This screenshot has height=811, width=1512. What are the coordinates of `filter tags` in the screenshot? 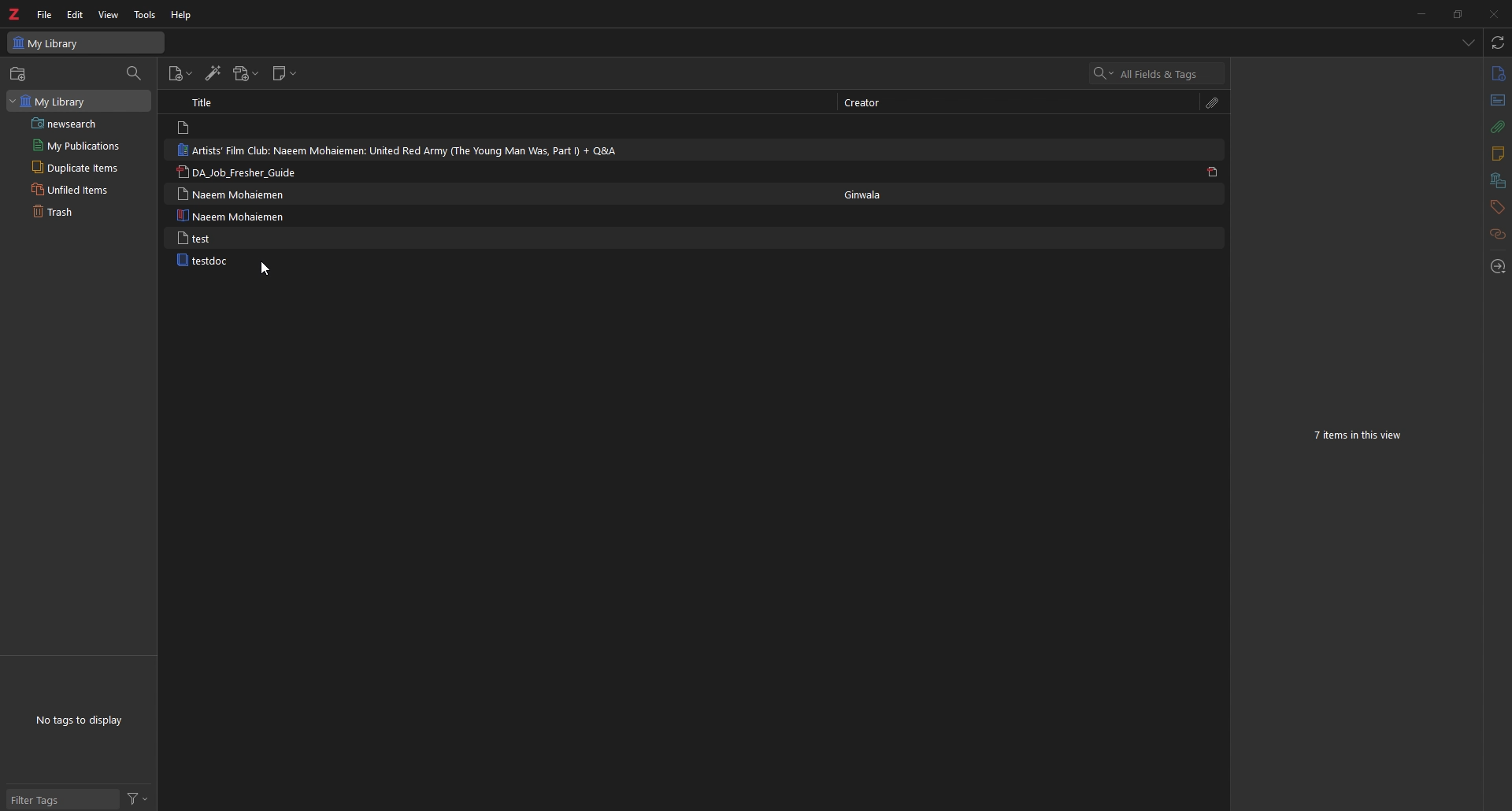 It's located at (61, 800).